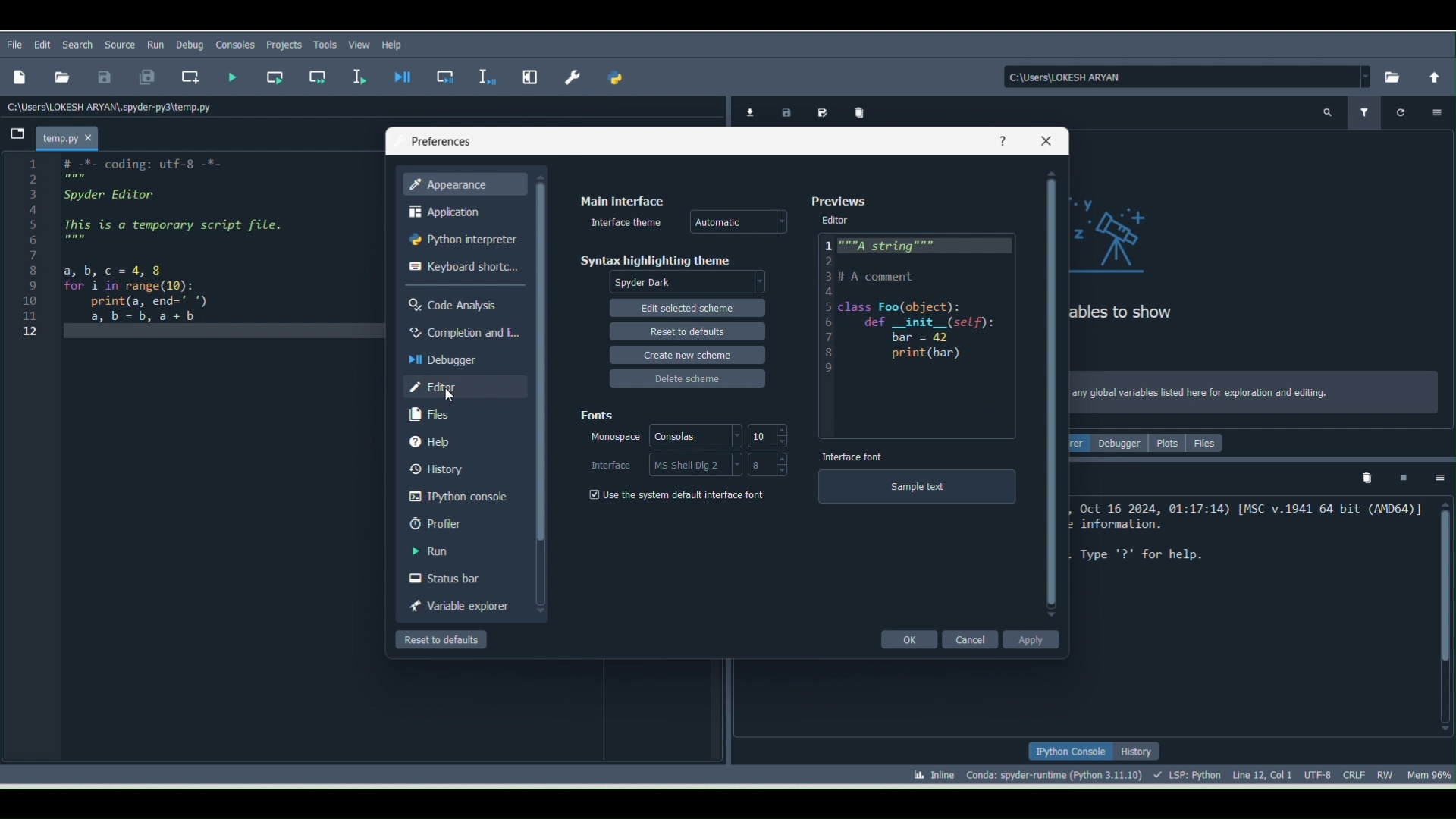 The image size is (1456, 819). I want to click on Version, so click(1057, 773).